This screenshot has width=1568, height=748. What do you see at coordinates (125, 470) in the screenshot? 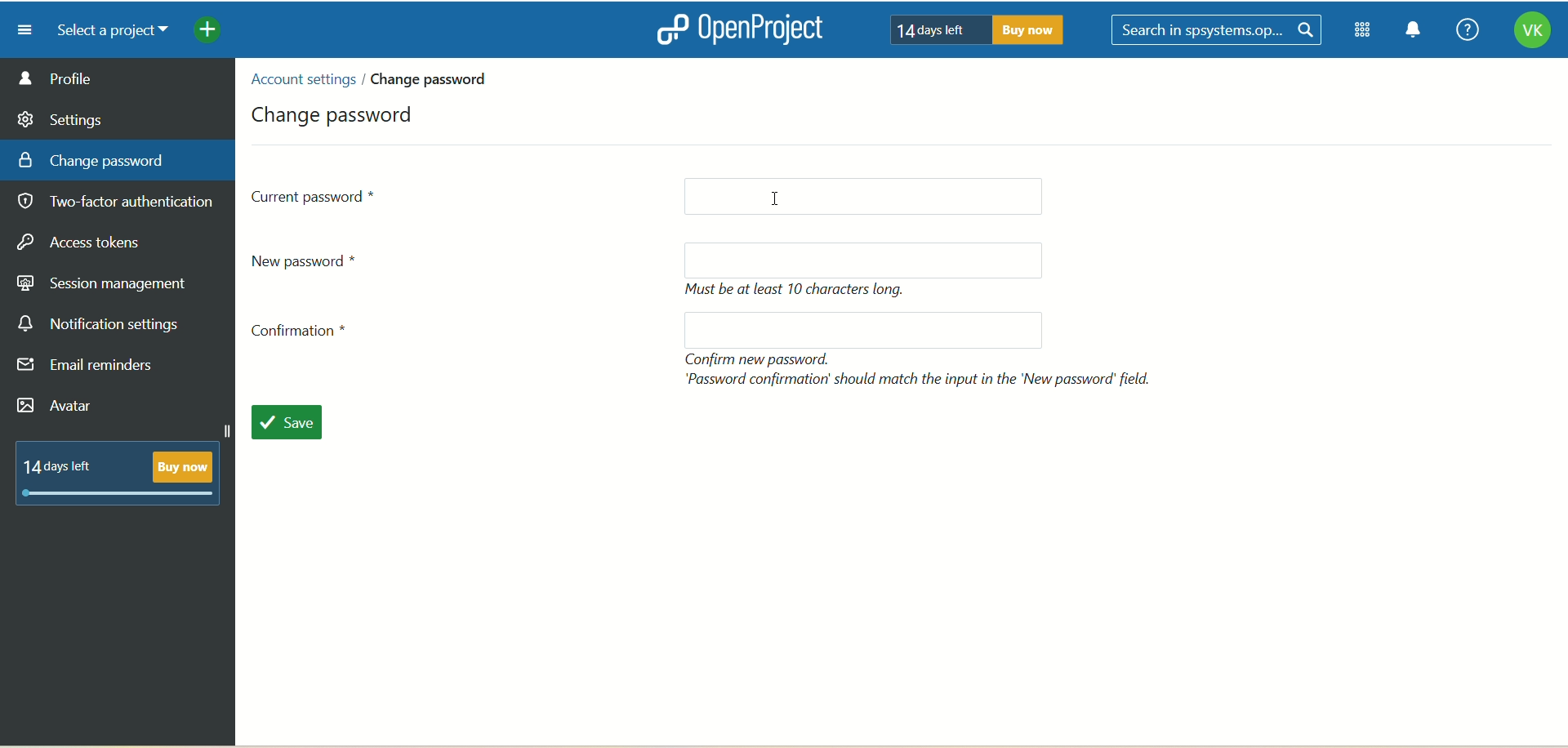
I see `text` at bounding box center [125, 470].